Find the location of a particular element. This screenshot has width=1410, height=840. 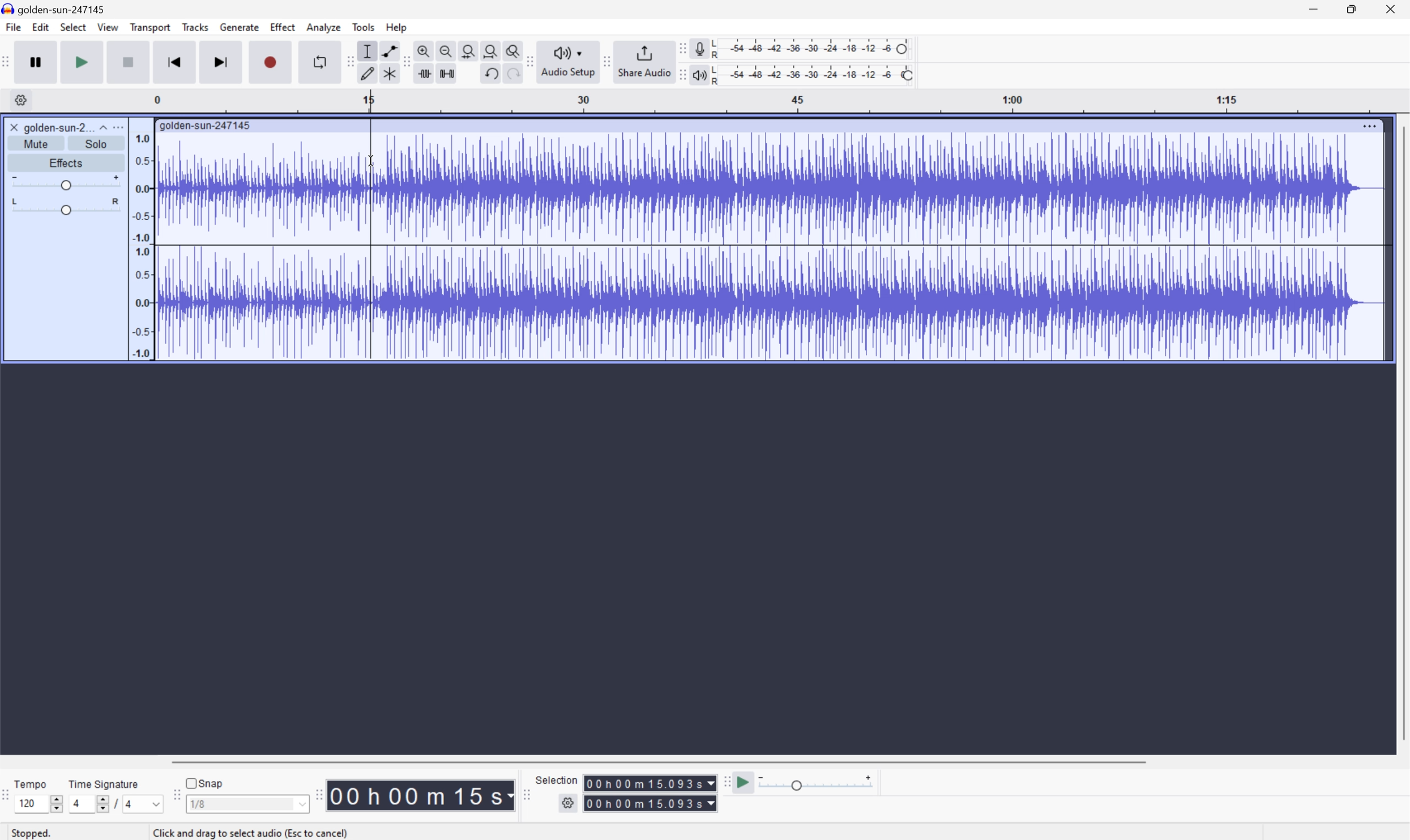

Zoom in is located at coordinates (423, 51).